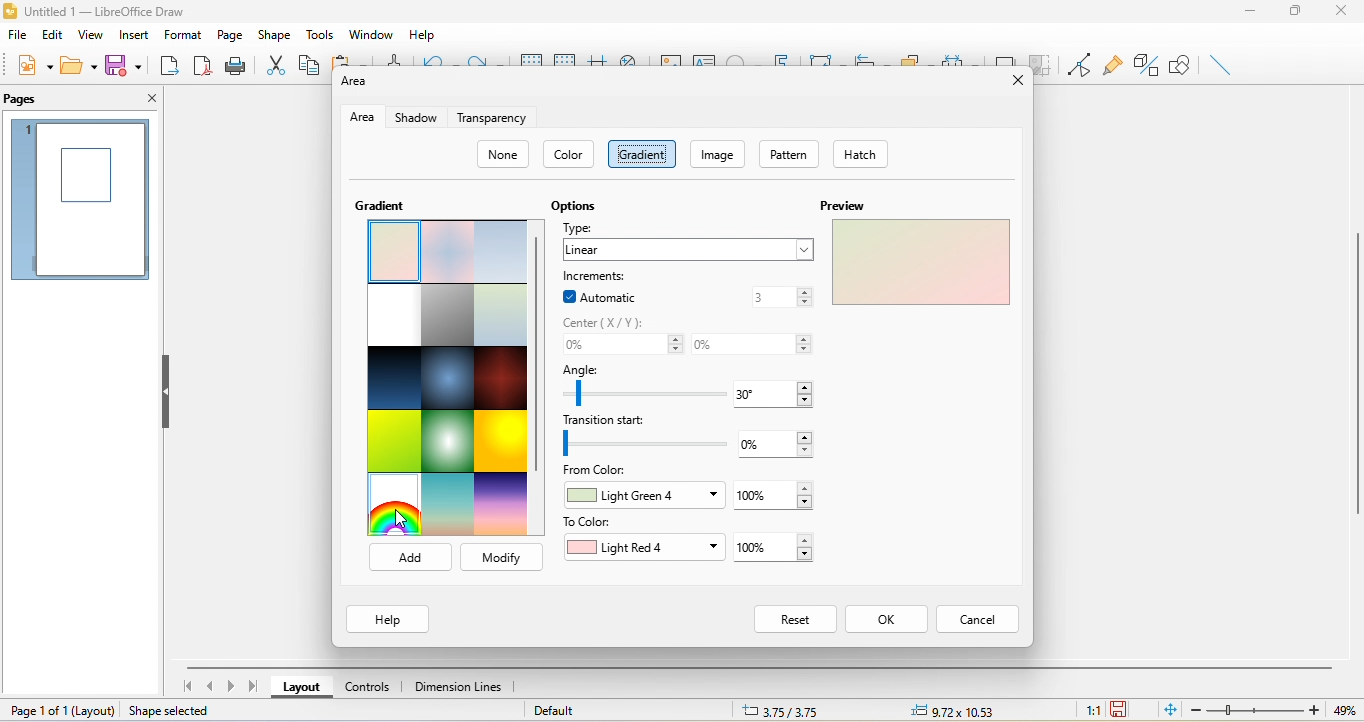 This screenshot has width=1364, height=722. I want to click on horizontal scroll bar, so click(760, 668).